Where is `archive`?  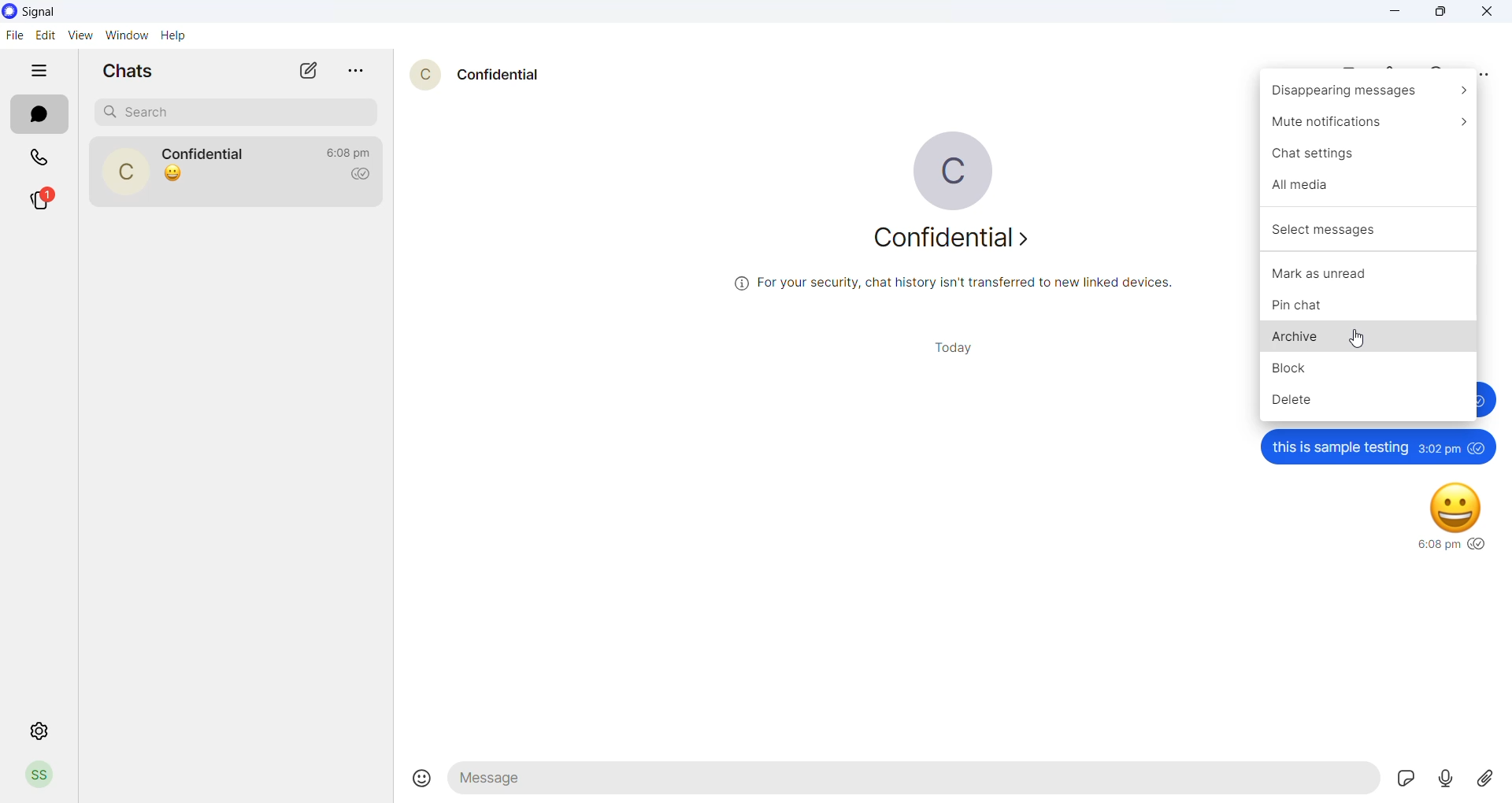
archive is located at coordinates (1367, 335).